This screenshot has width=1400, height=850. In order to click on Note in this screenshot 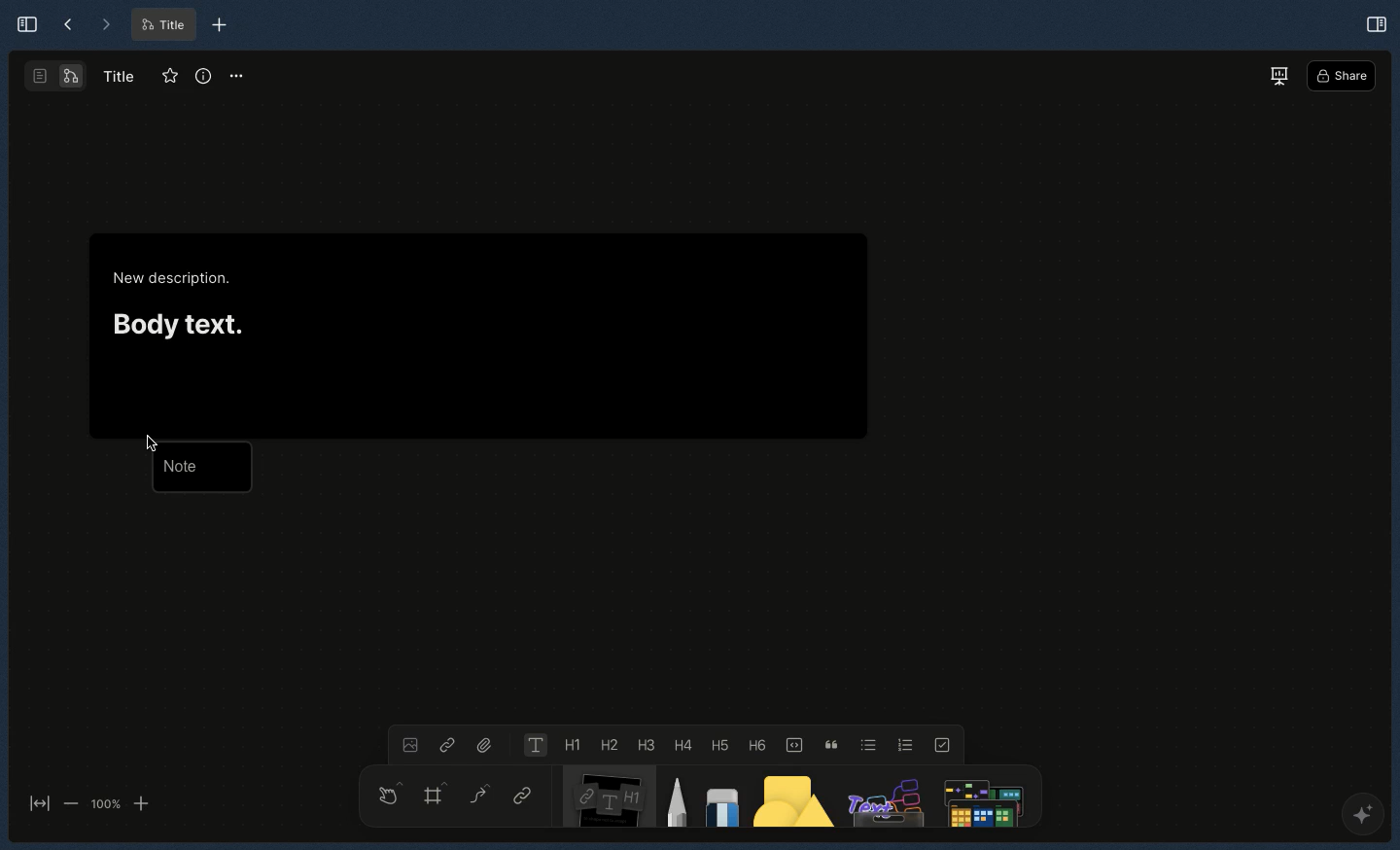, I will do `click(605, 797)`.